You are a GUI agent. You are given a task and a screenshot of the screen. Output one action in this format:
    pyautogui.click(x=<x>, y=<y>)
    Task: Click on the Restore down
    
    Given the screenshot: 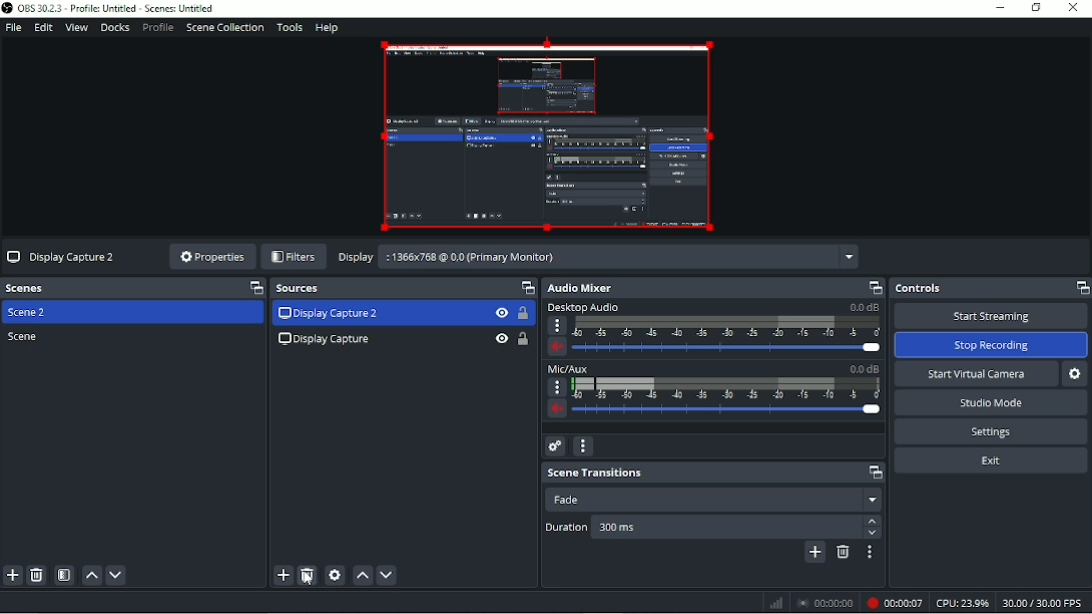 What is the action you would take?
    pyautogui.click(x=1035, y=8)
    